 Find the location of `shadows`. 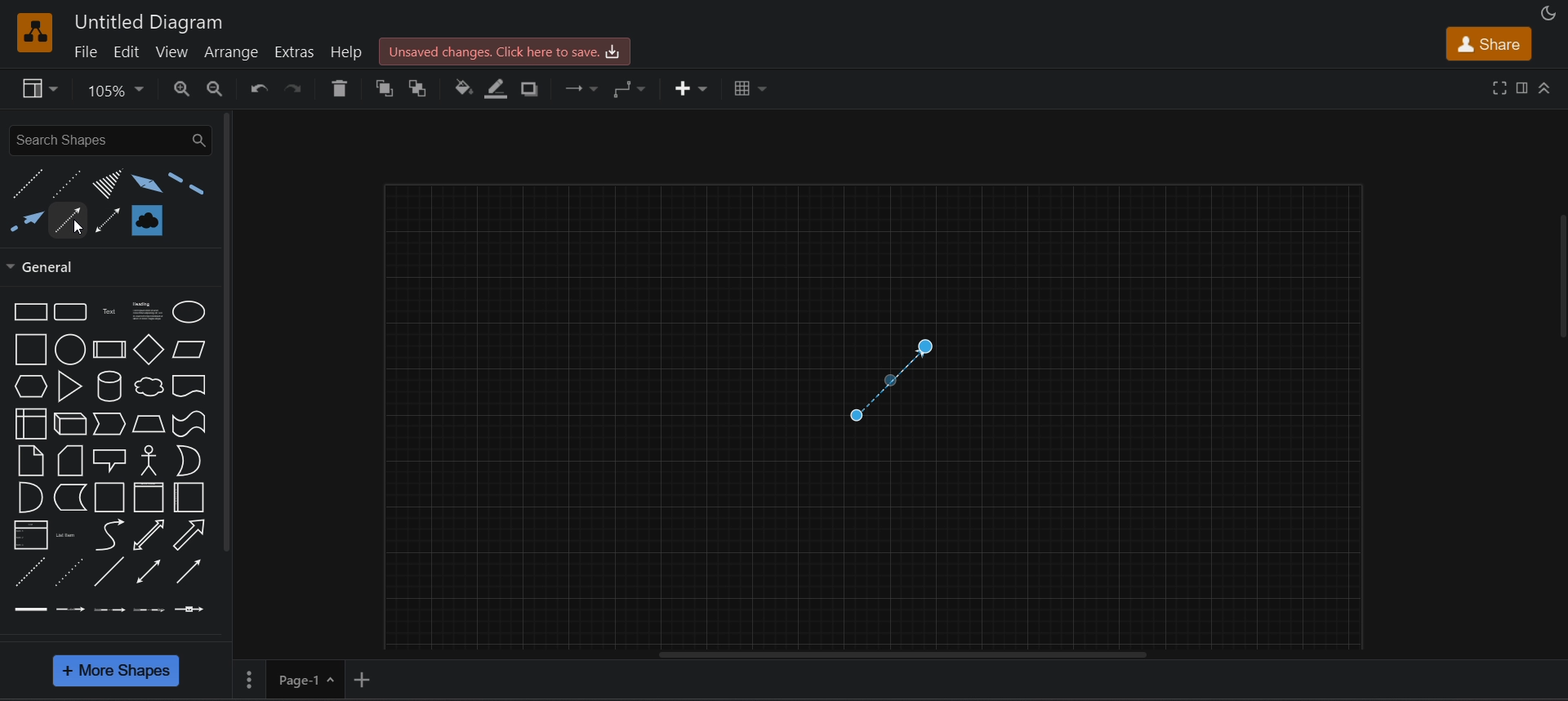

shadows is located at coordinates (535, 88).